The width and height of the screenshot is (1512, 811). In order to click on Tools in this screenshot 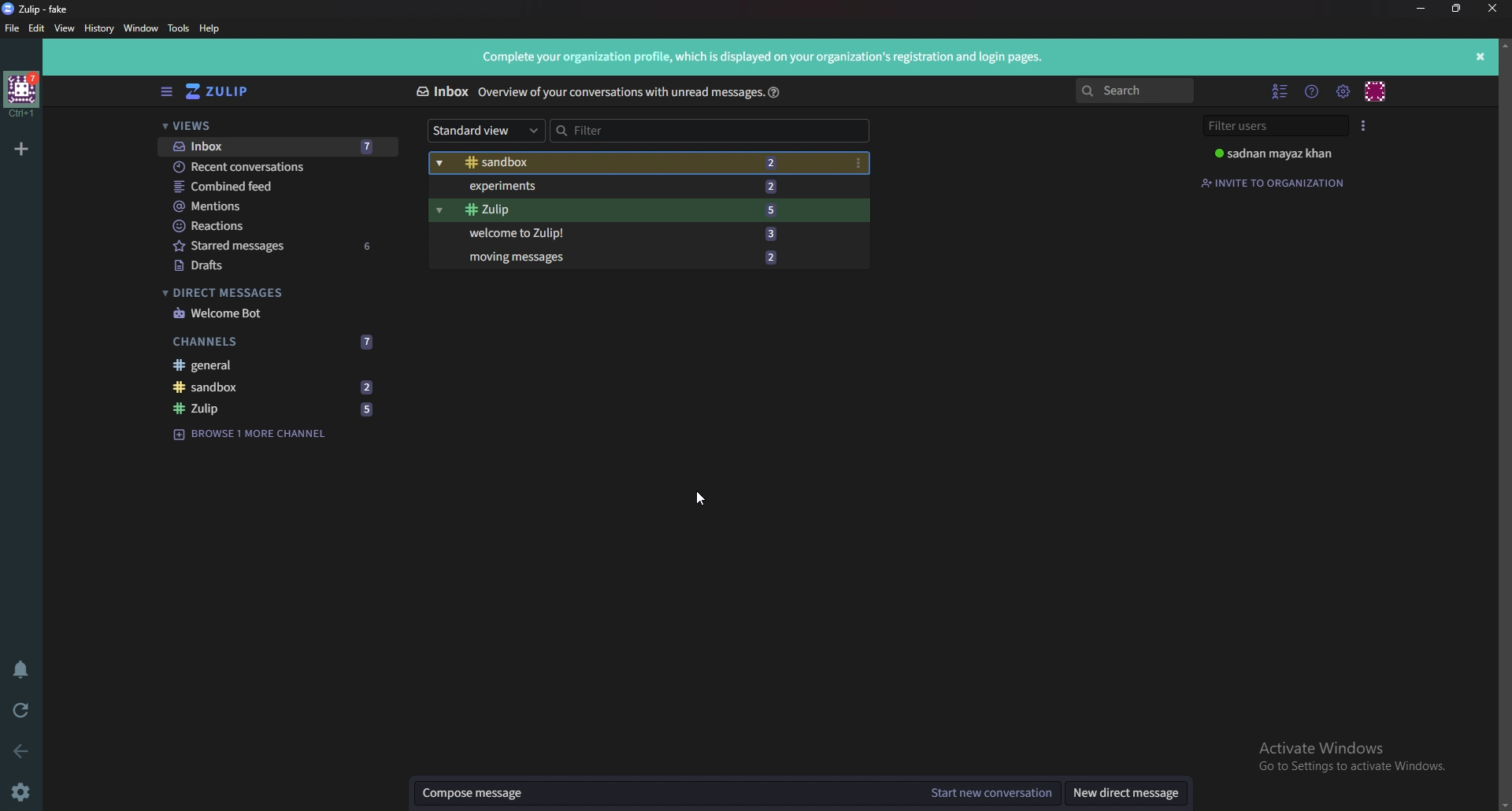, I will do `click(177, 29)`.